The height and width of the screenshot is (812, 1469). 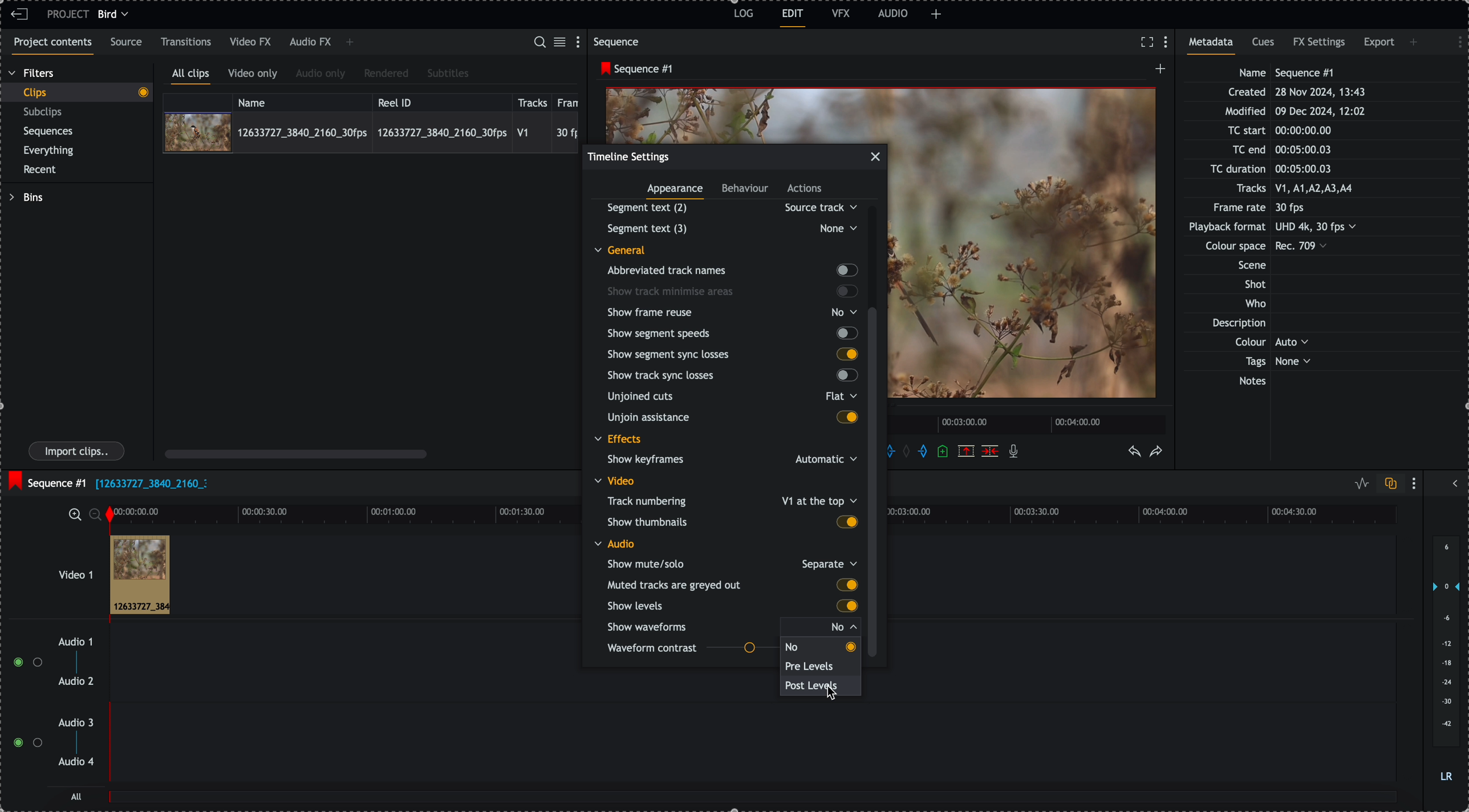 What do you see at coordinates (186, 42) in the screenshot?
I see `transitions` at bounding box center [186, 42].